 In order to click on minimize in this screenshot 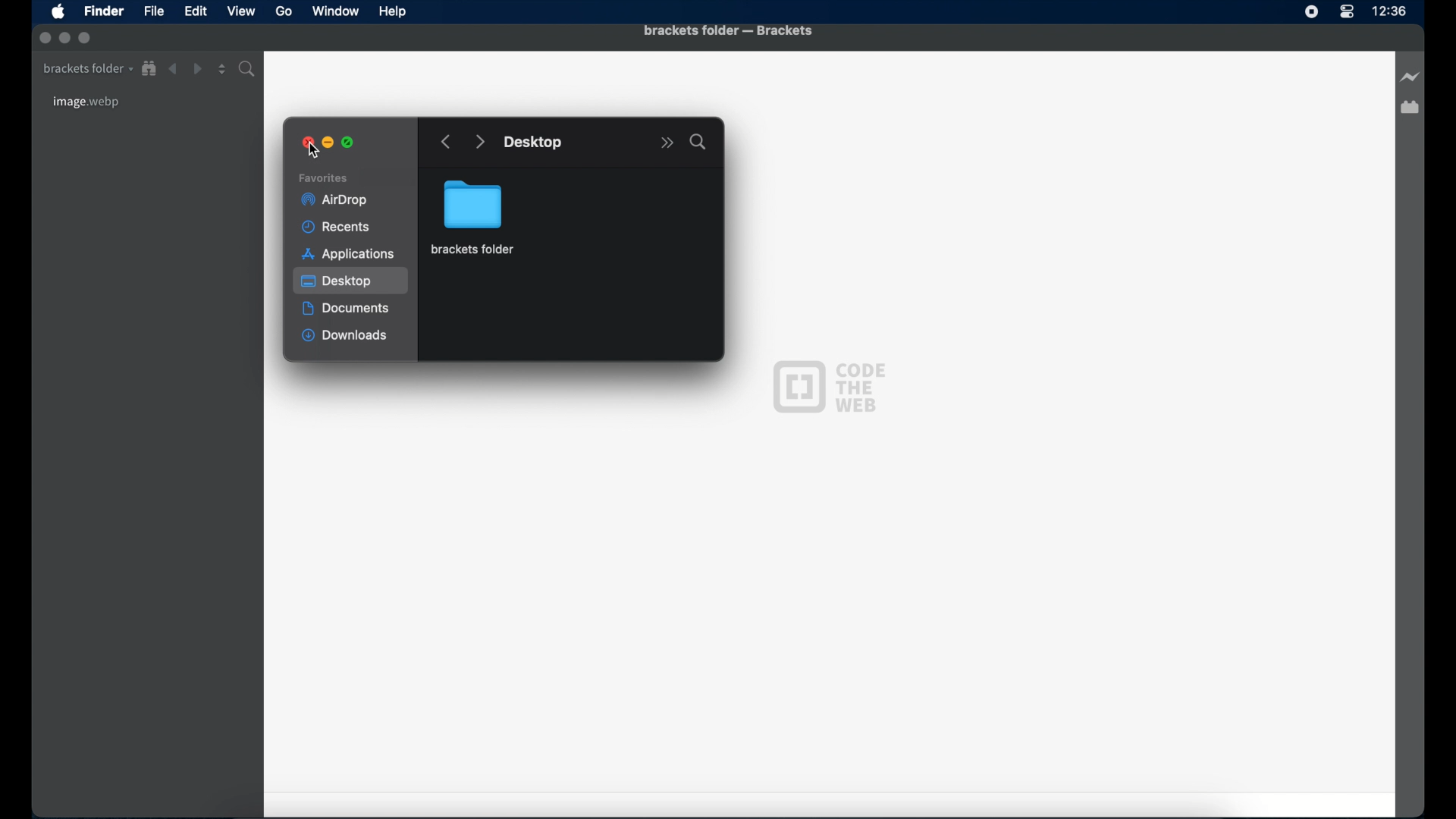, I will do `click(329, 142)`.